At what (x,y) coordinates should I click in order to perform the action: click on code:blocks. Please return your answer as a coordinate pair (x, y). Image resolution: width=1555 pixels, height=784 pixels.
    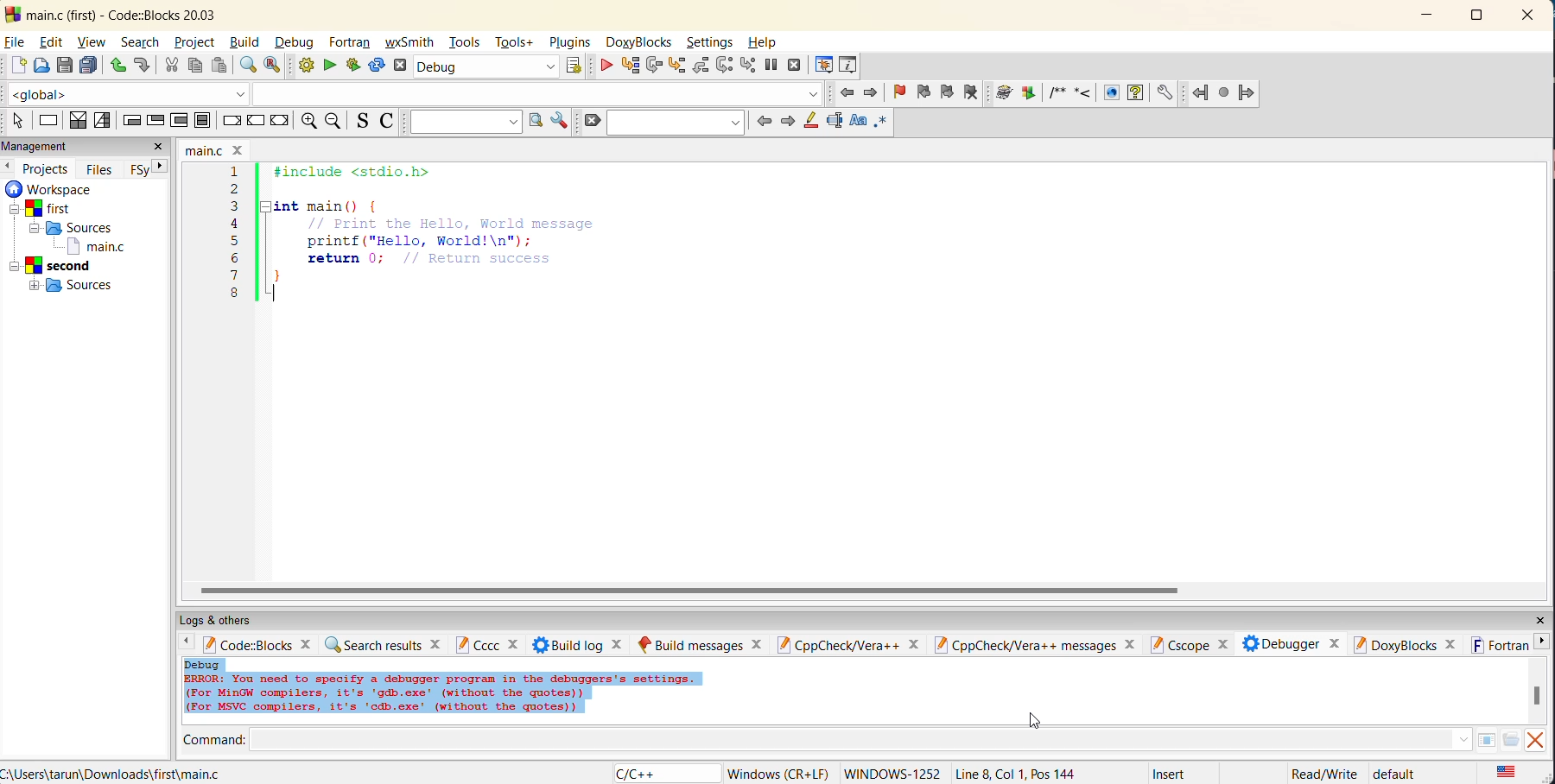
    Looking at the image, I should click on (263, 643).